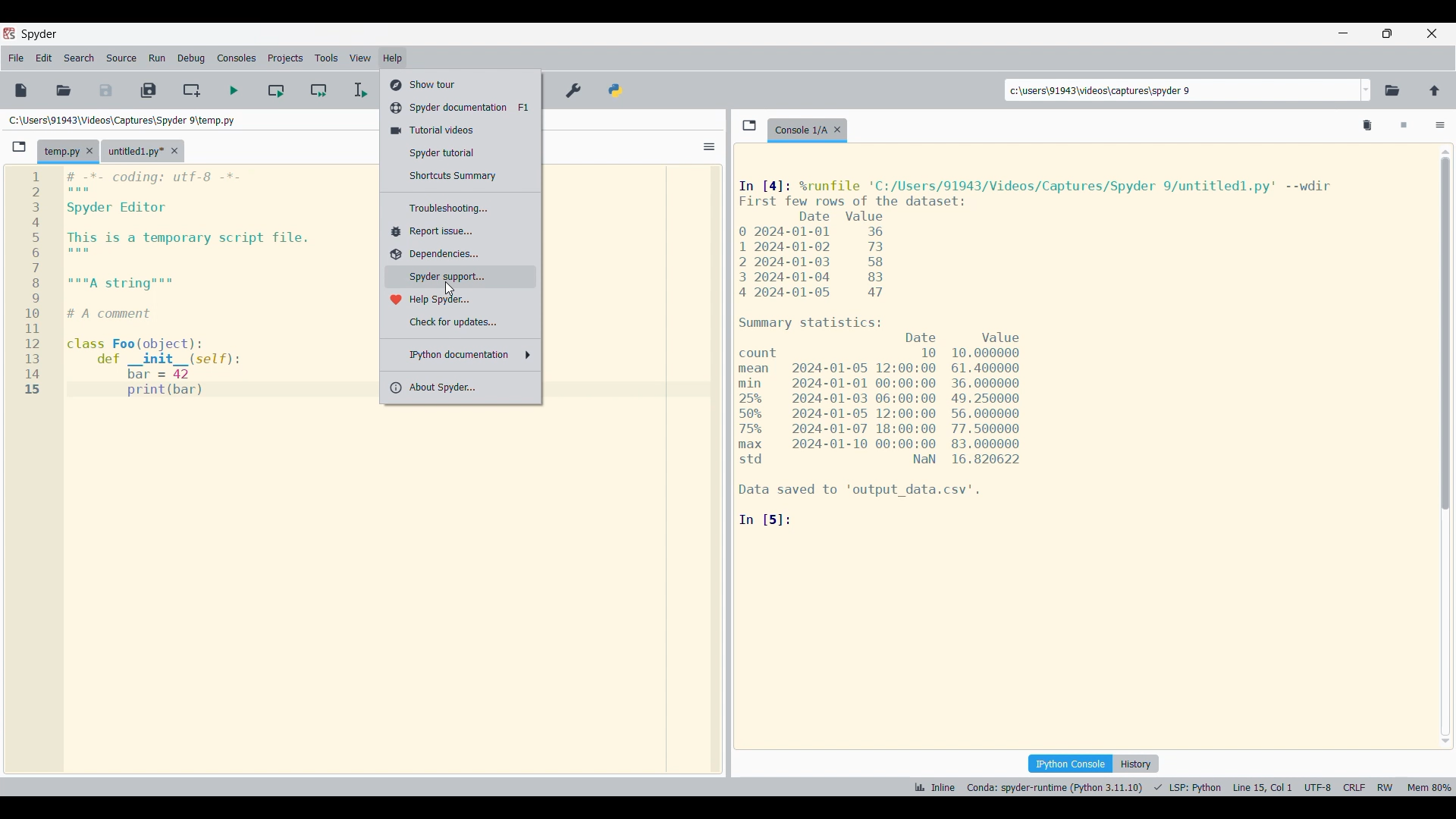 The image size is (1456, 819). I want to click on Browse tabs, so click(19, 147).